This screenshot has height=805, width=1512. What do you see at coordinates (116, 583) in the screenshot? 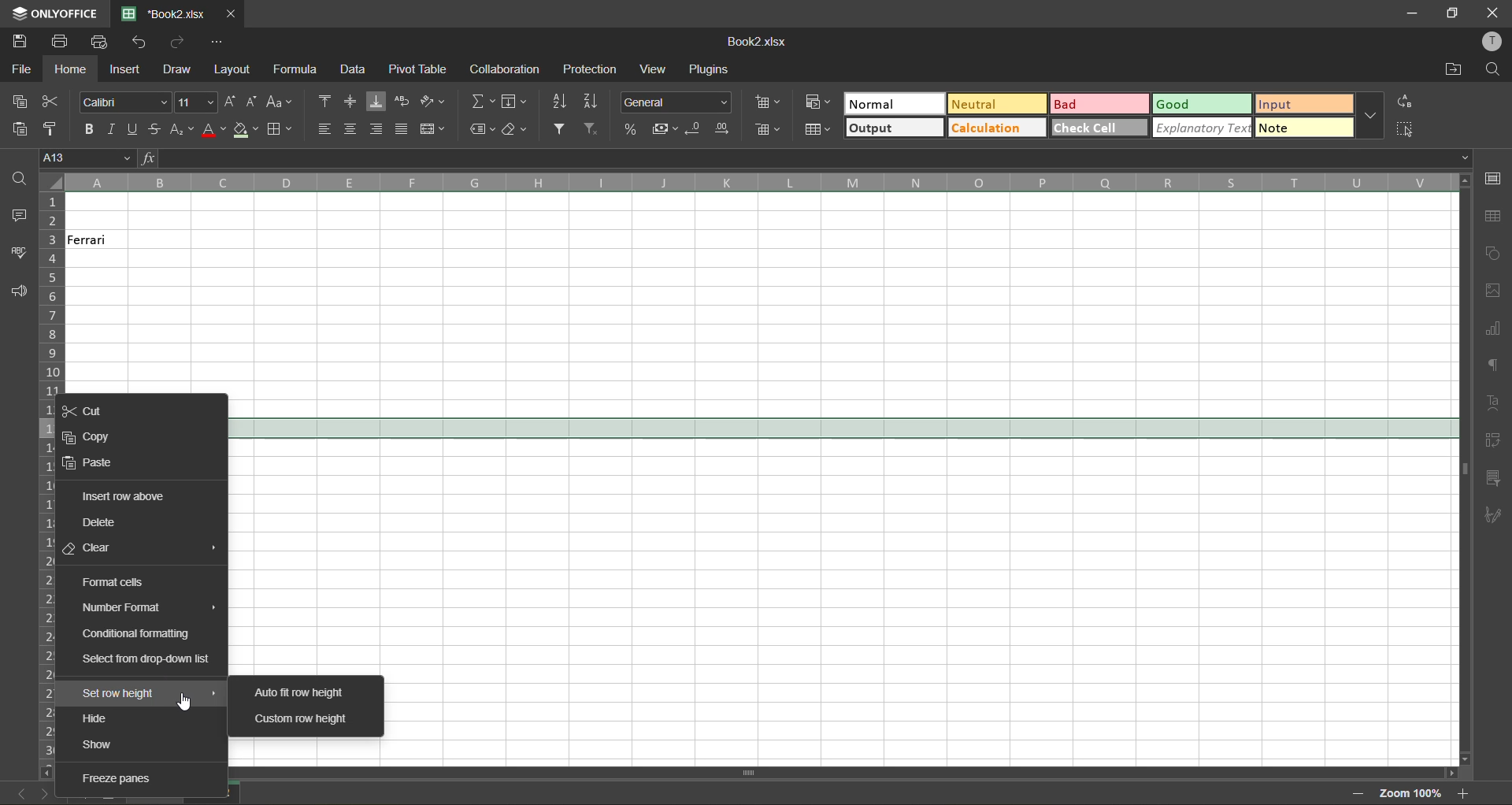
I see `format cells` at bounding box center [116, 583].